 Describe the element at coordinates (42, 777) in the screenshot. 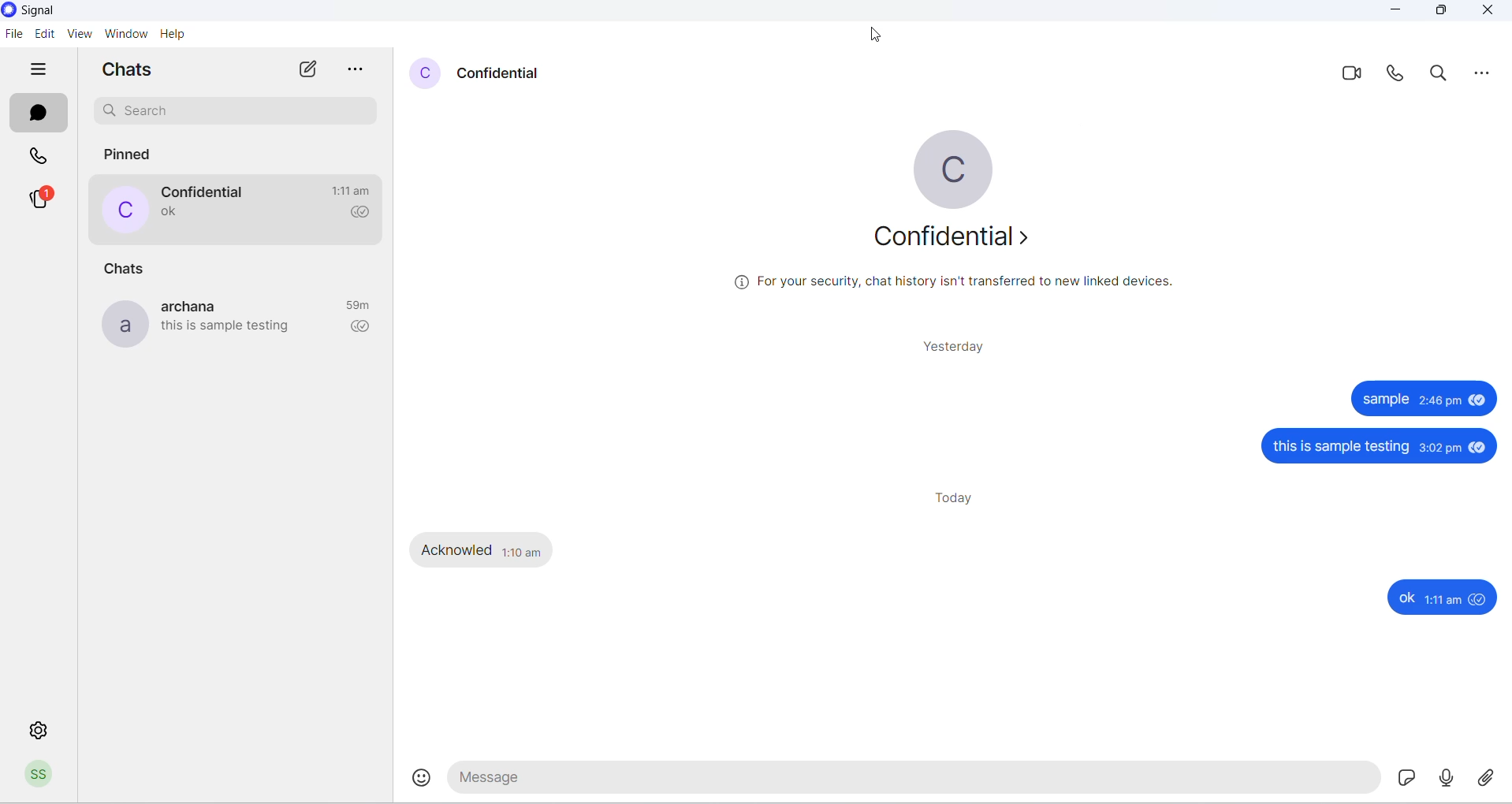

I see `Profile picture` at that location.